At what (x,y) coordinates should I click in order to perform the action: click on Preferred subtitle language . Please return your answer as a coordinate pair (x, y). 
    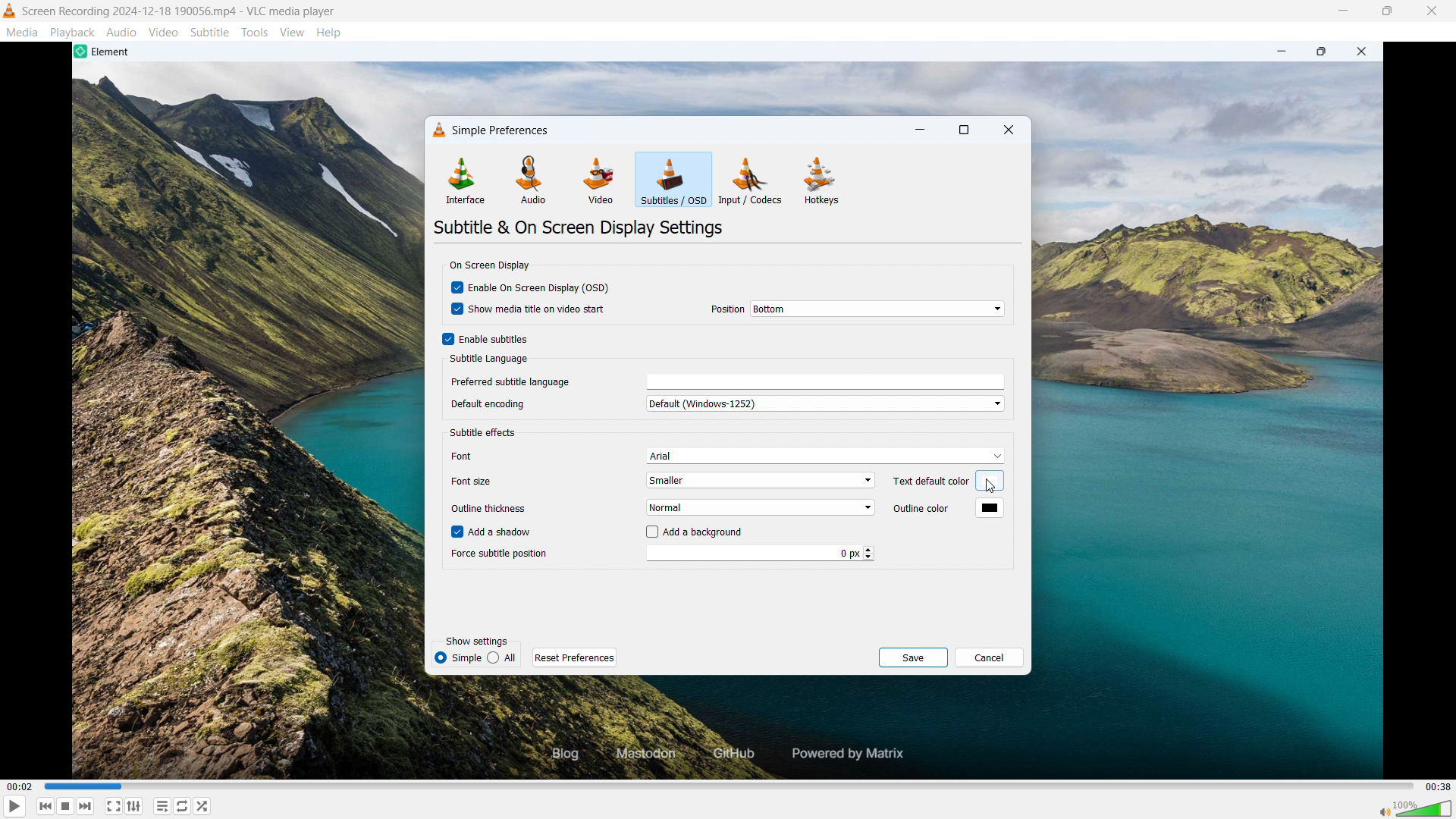
    Looking at the image, I should click on (808, 382).